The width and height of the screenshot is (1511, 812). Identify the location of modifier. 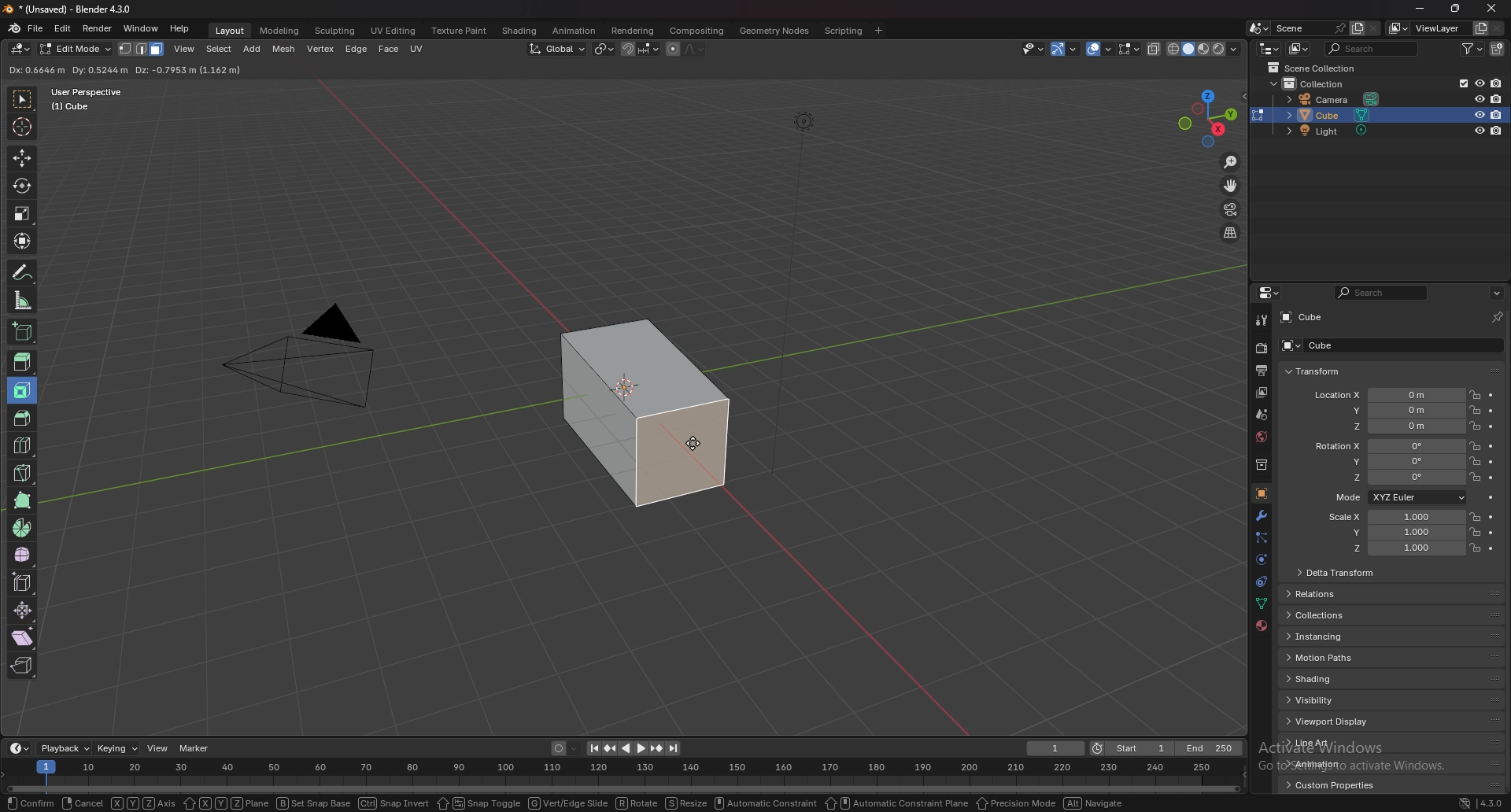
(1262, 515).